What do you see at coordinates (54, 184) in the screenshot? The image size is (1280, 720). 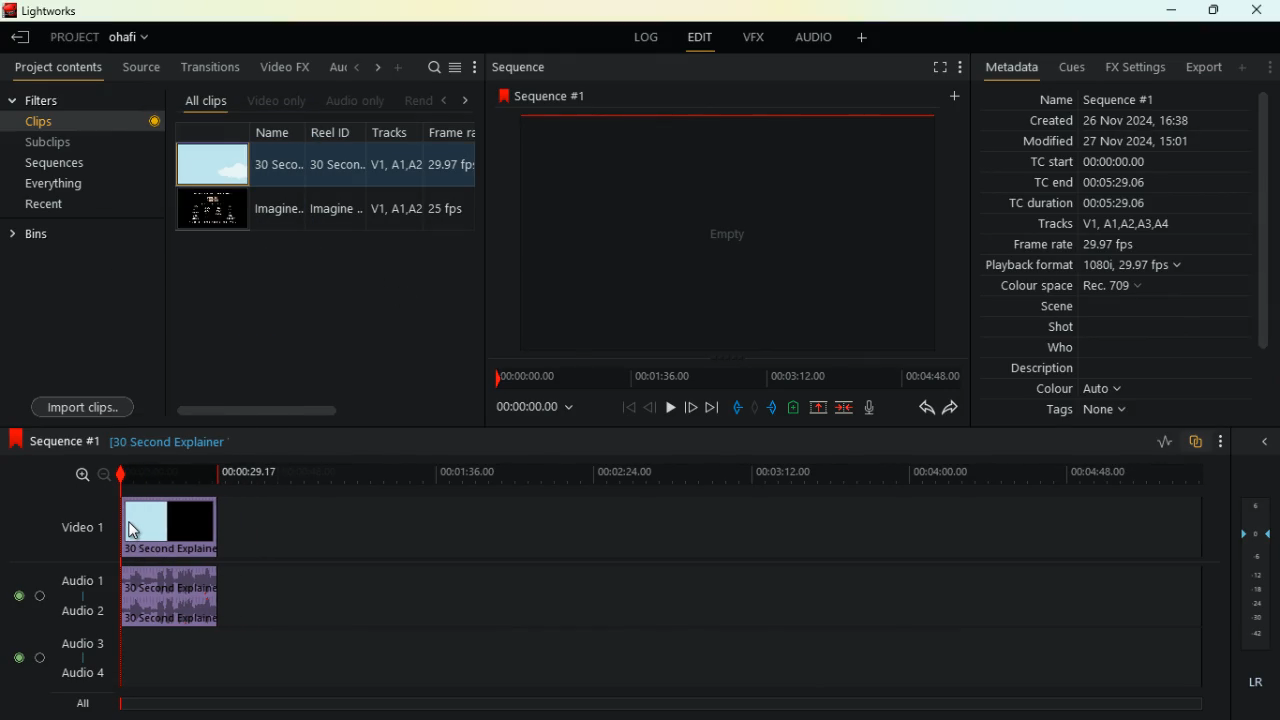 I see `everything` at bounding box center [54, 184].